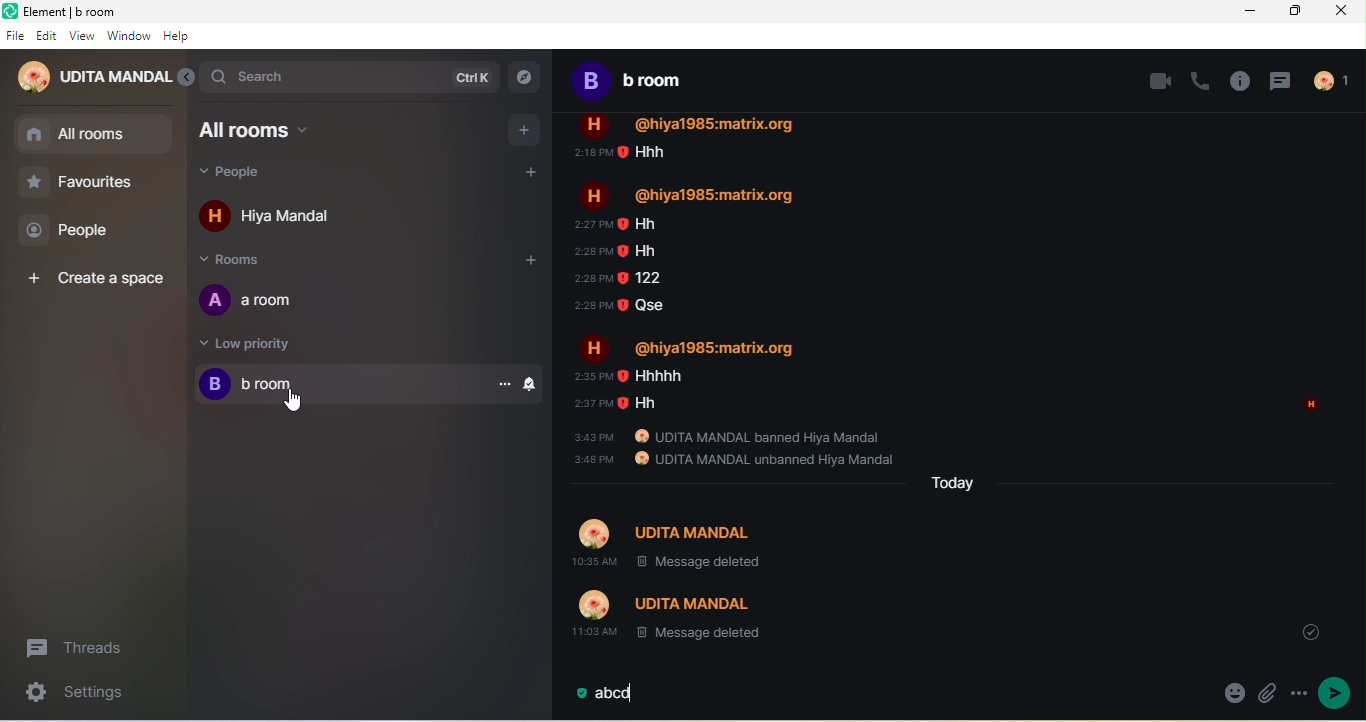  What do you see at coordinates (186, 77) in the screenshot?
I see `expand` at bounding box center [186, 77].